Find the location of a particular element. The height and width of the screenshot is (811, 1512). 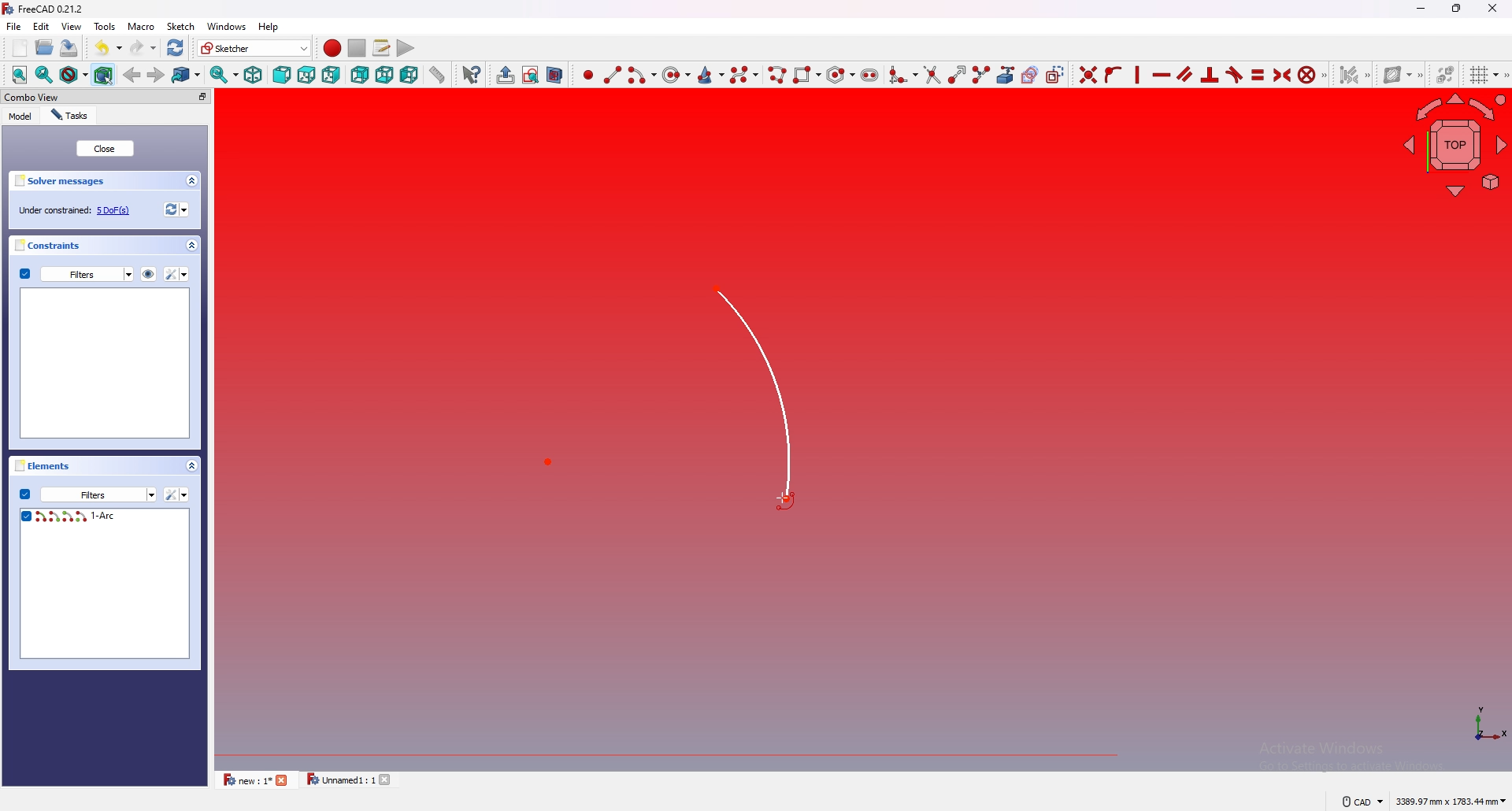

Under constrained: 5 DoF(s) is located at coordinates (76, 210).